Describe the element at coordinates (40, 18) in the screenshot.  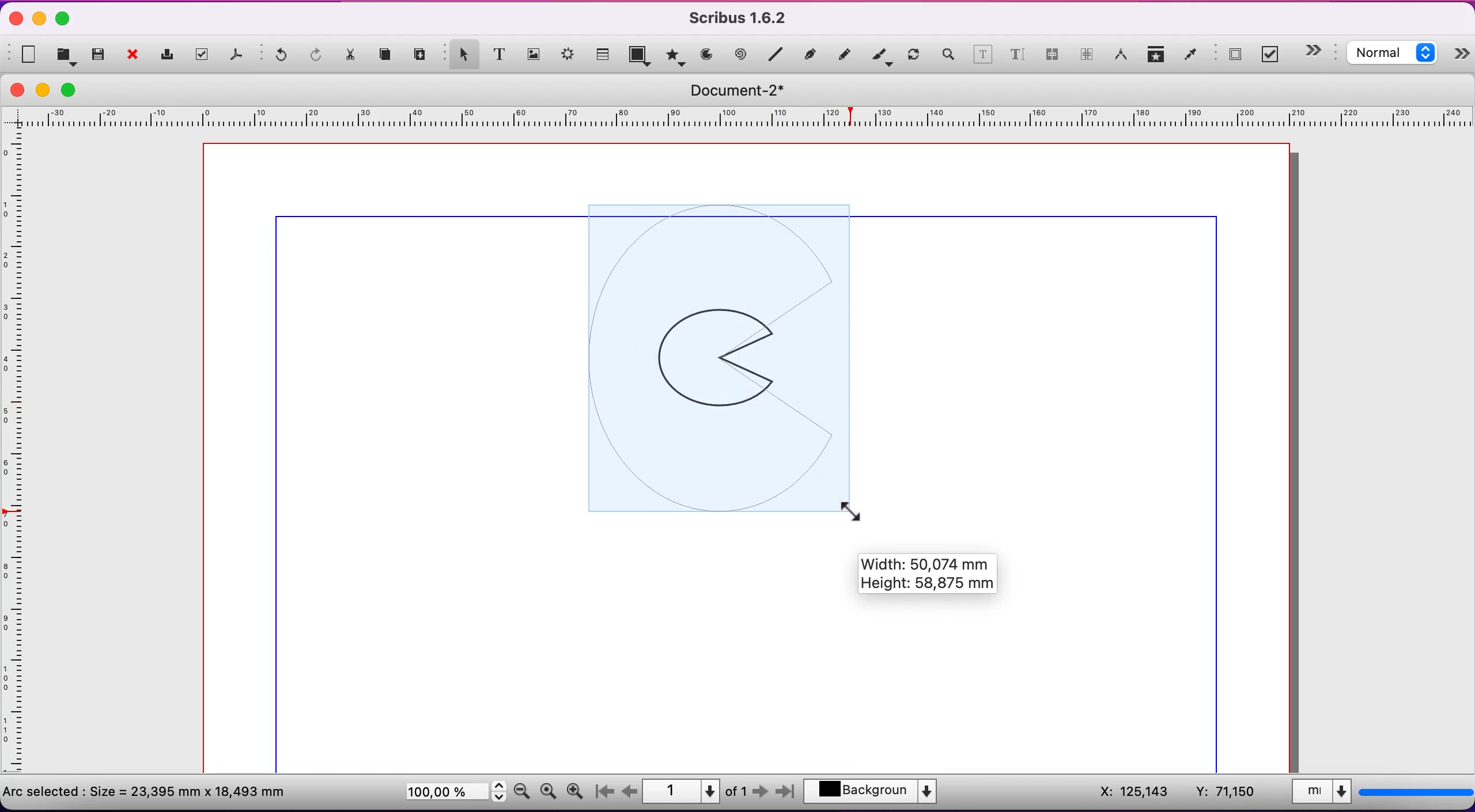
I see `minimize` at that location.